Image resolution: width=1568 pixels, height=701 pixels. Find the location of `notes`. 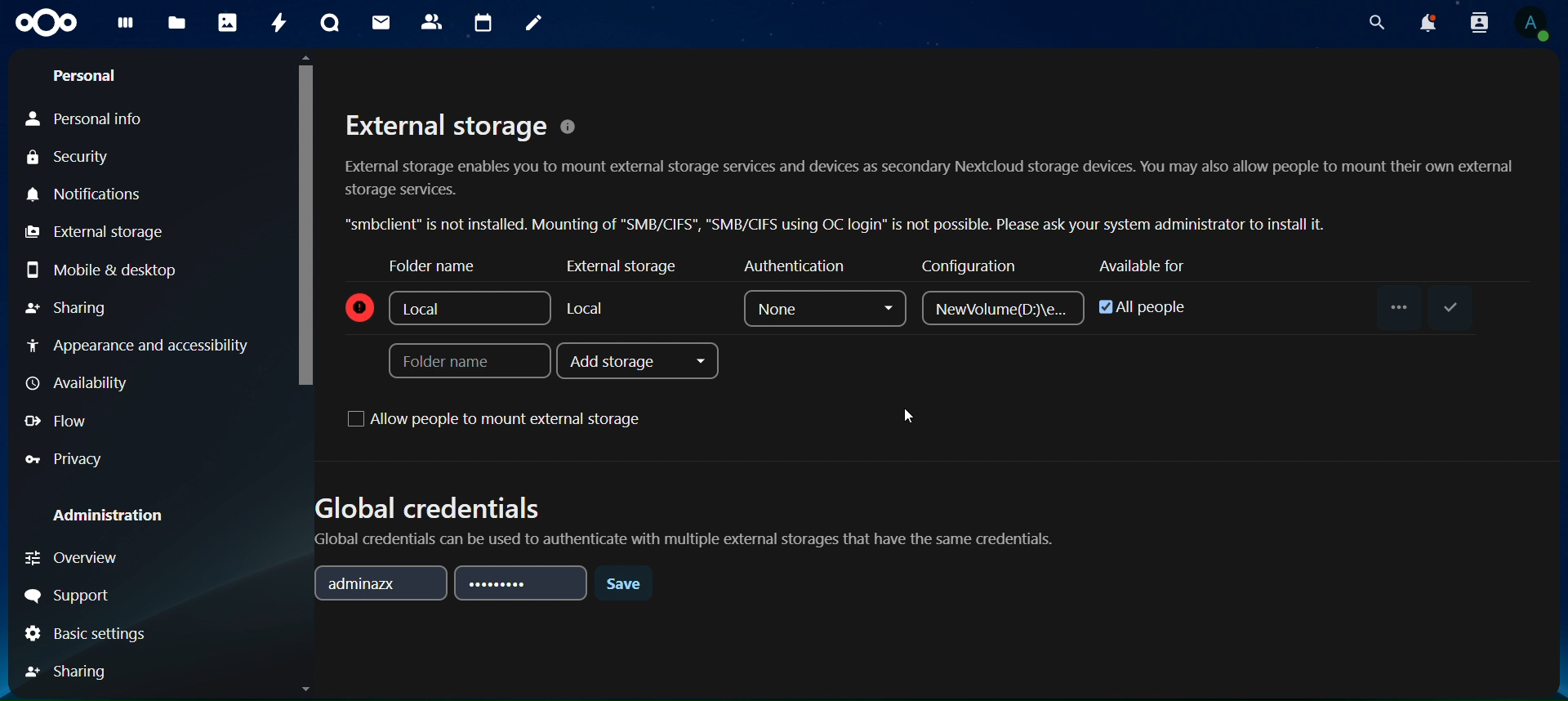

notes is located at coordinates (532, 23).